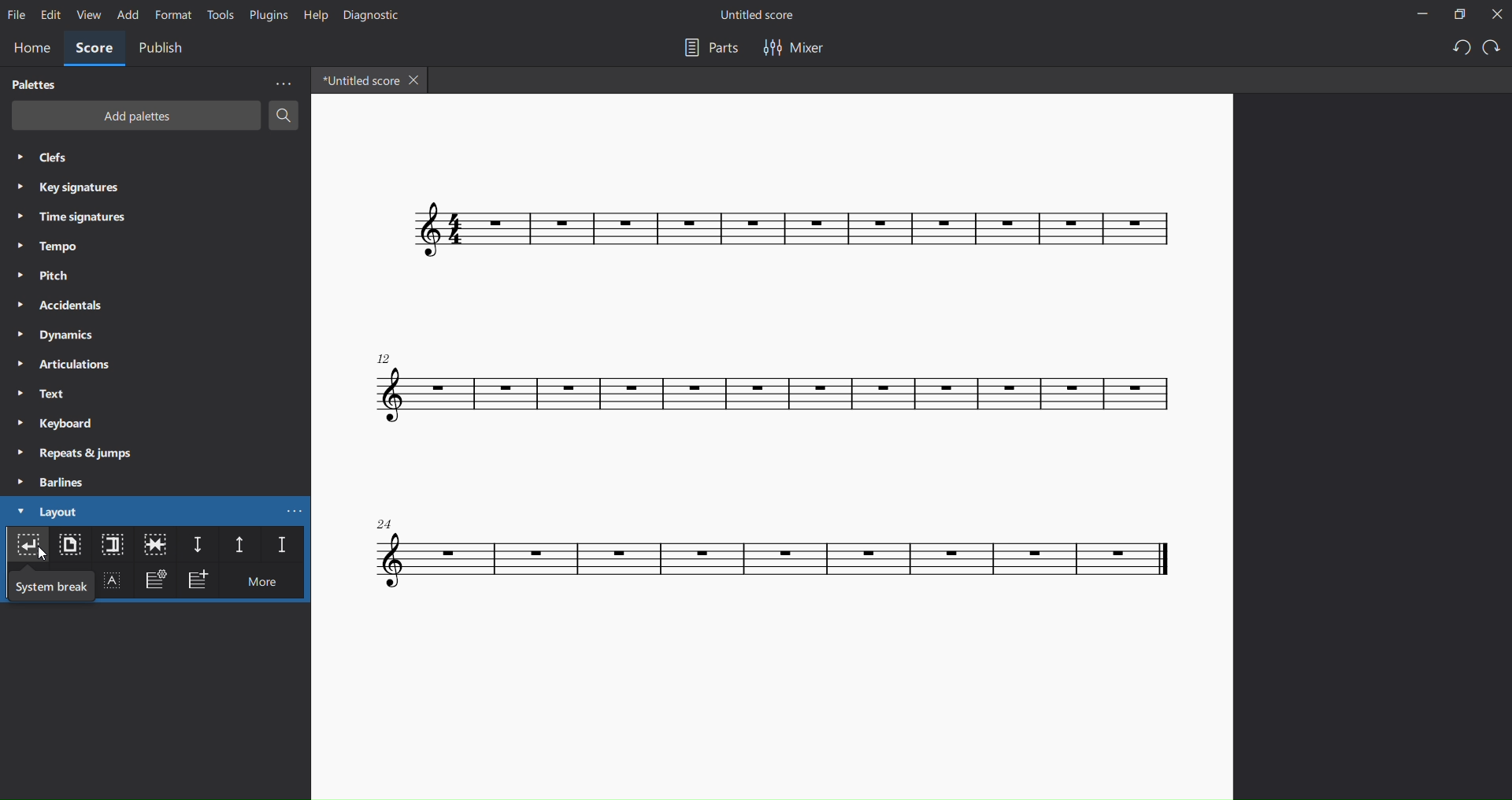 The image size is (1512, 800). Describe the element at coordinates (174, 15) in the screenshot. I see `format` at that location.